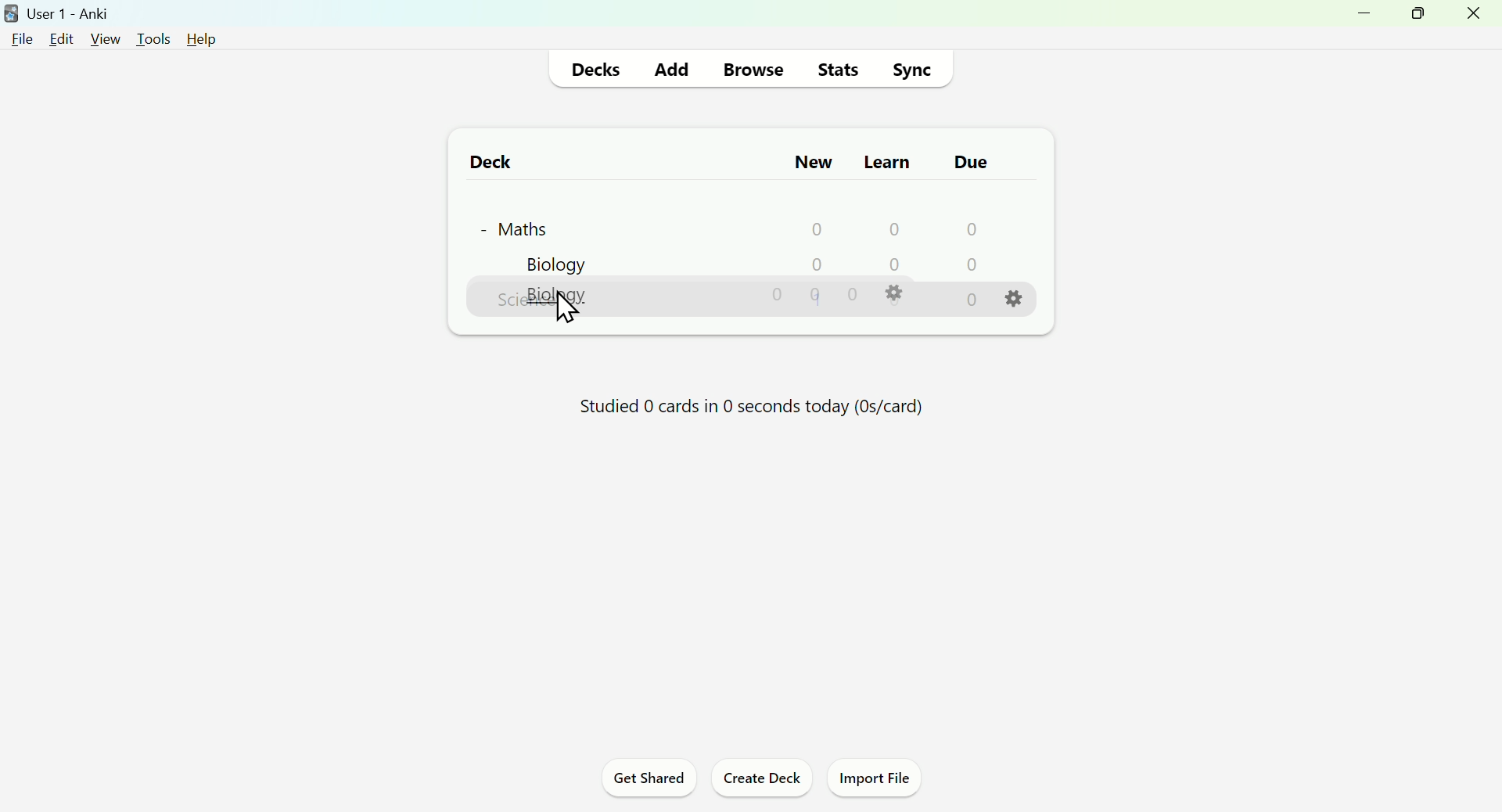  What do you see at coordinates (817, 299) in the screenshot?
I see `0` at bounding box center [817, 299].